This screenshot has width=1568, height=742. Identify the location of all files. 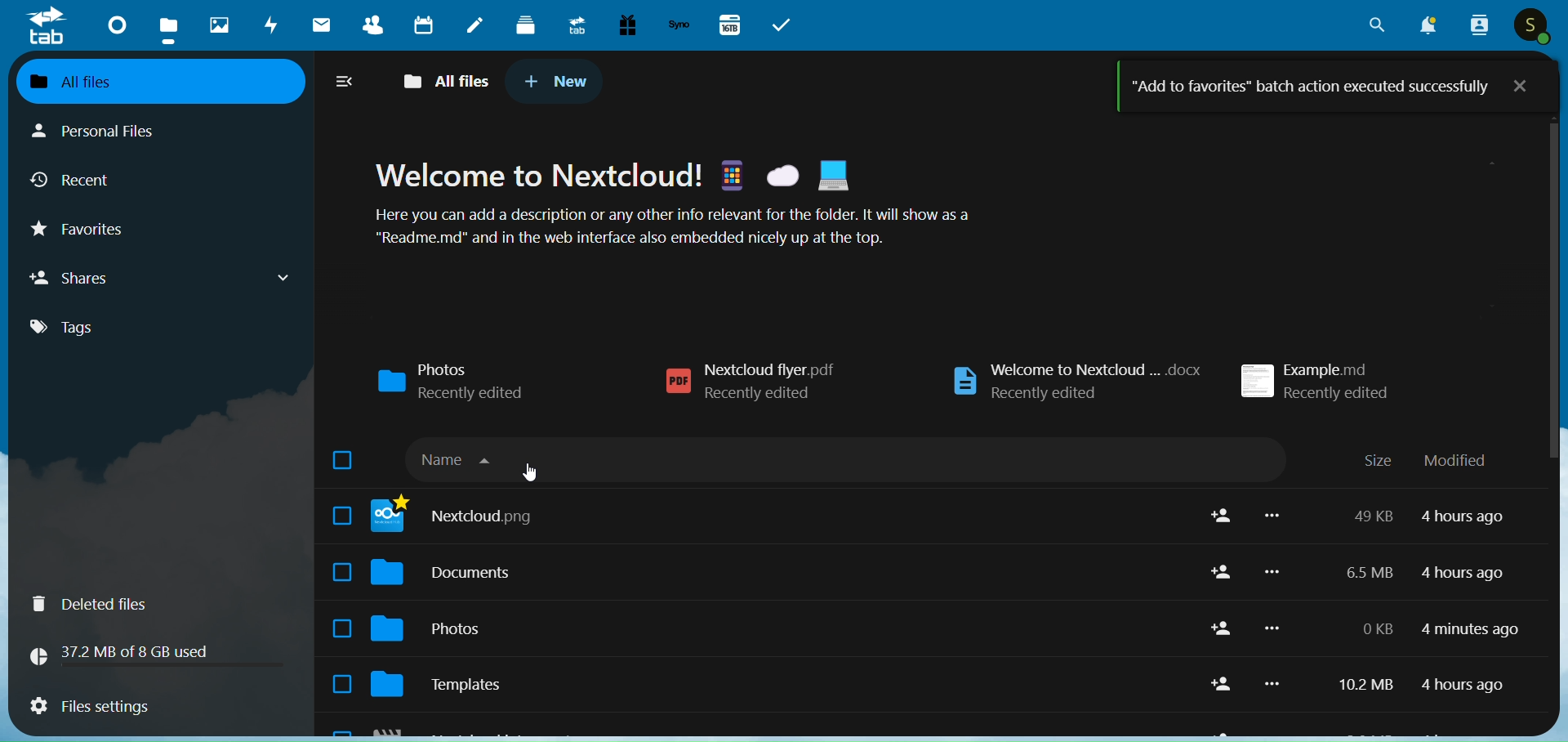
(163, 83).